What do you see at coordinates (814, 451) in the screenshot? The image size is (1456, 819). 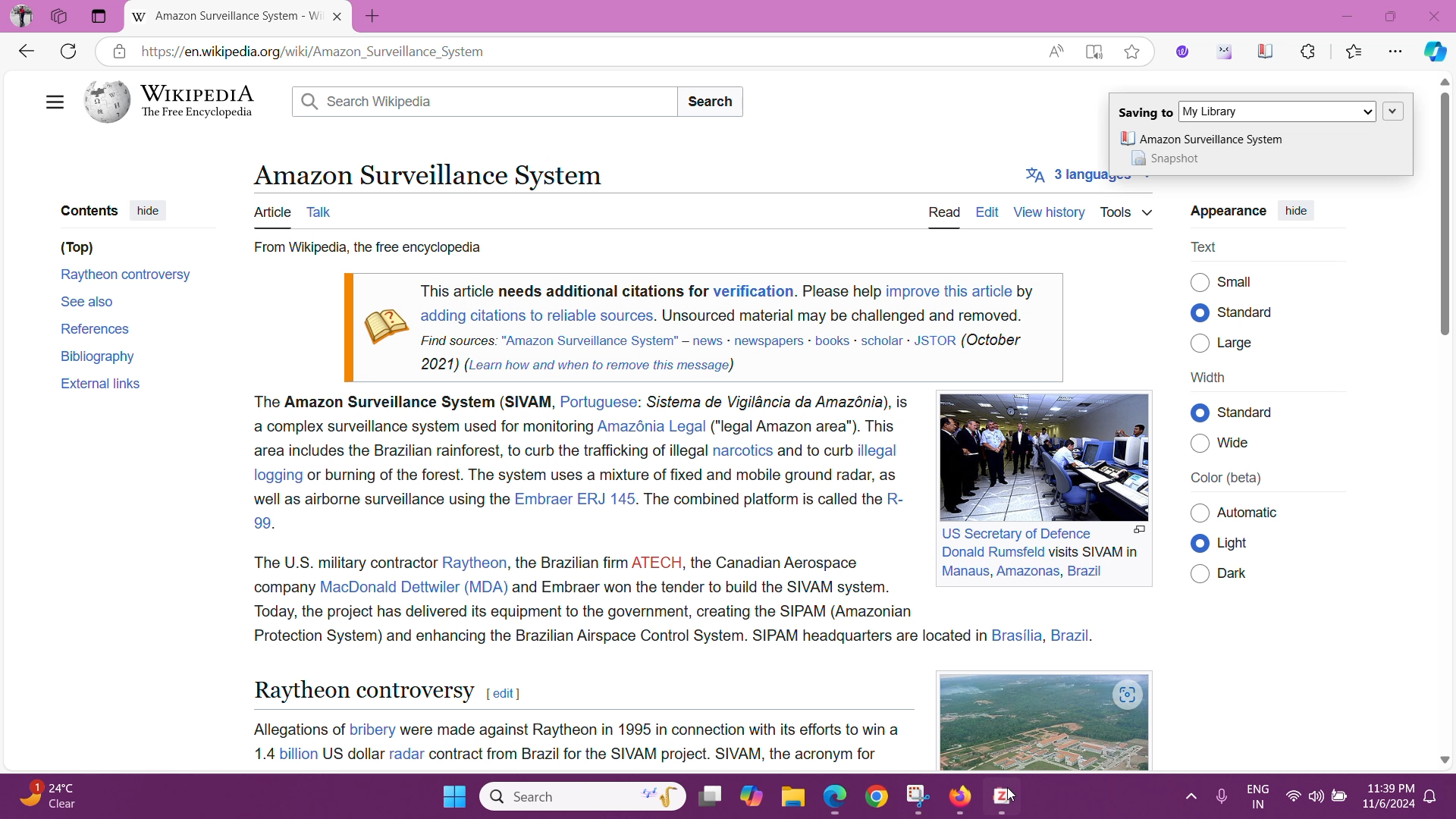 I see `and to curb` at bounding box center [814, 451].